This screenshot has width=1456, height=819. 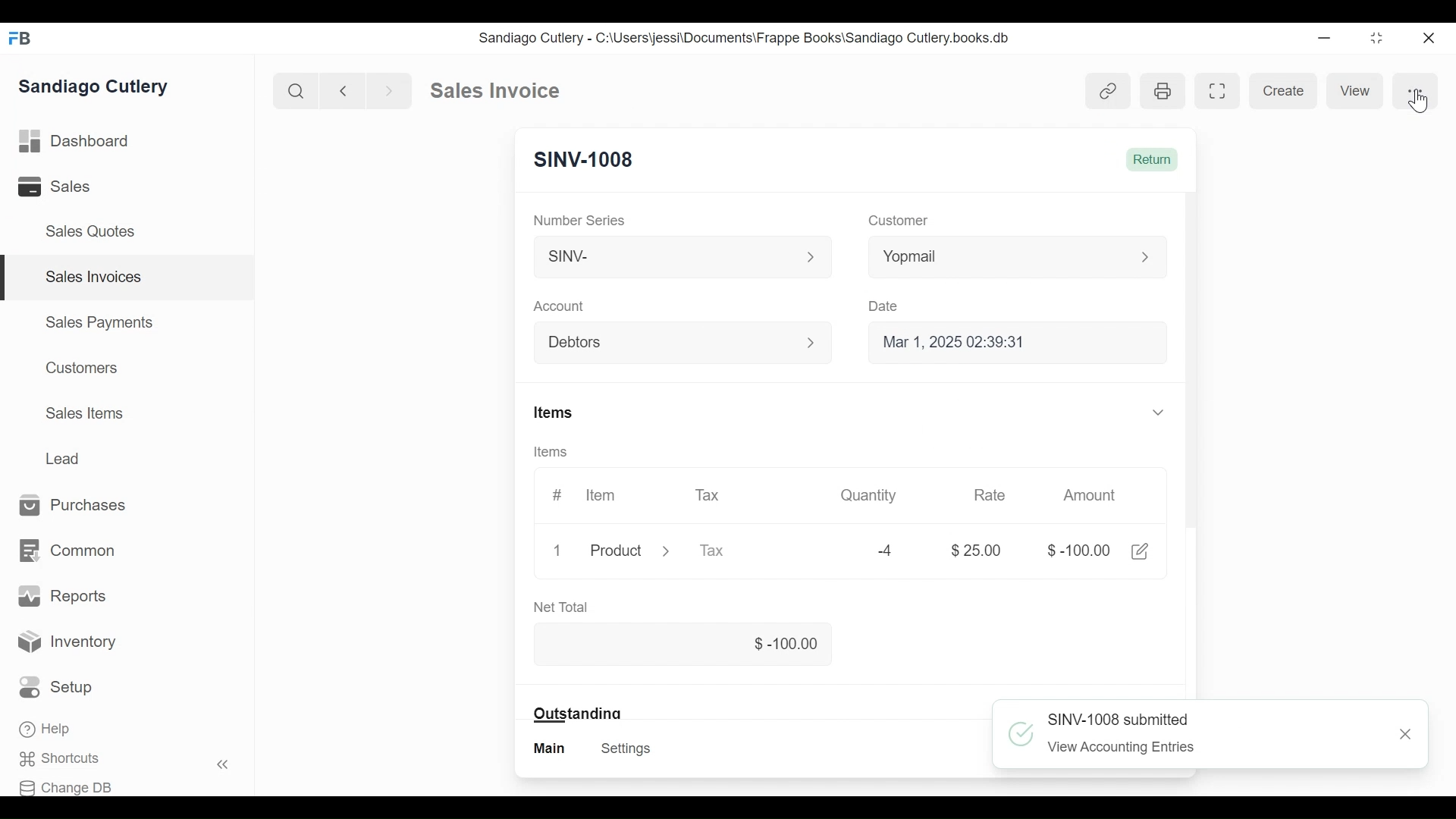 I want to click on Item, so click(x=601, y=495).